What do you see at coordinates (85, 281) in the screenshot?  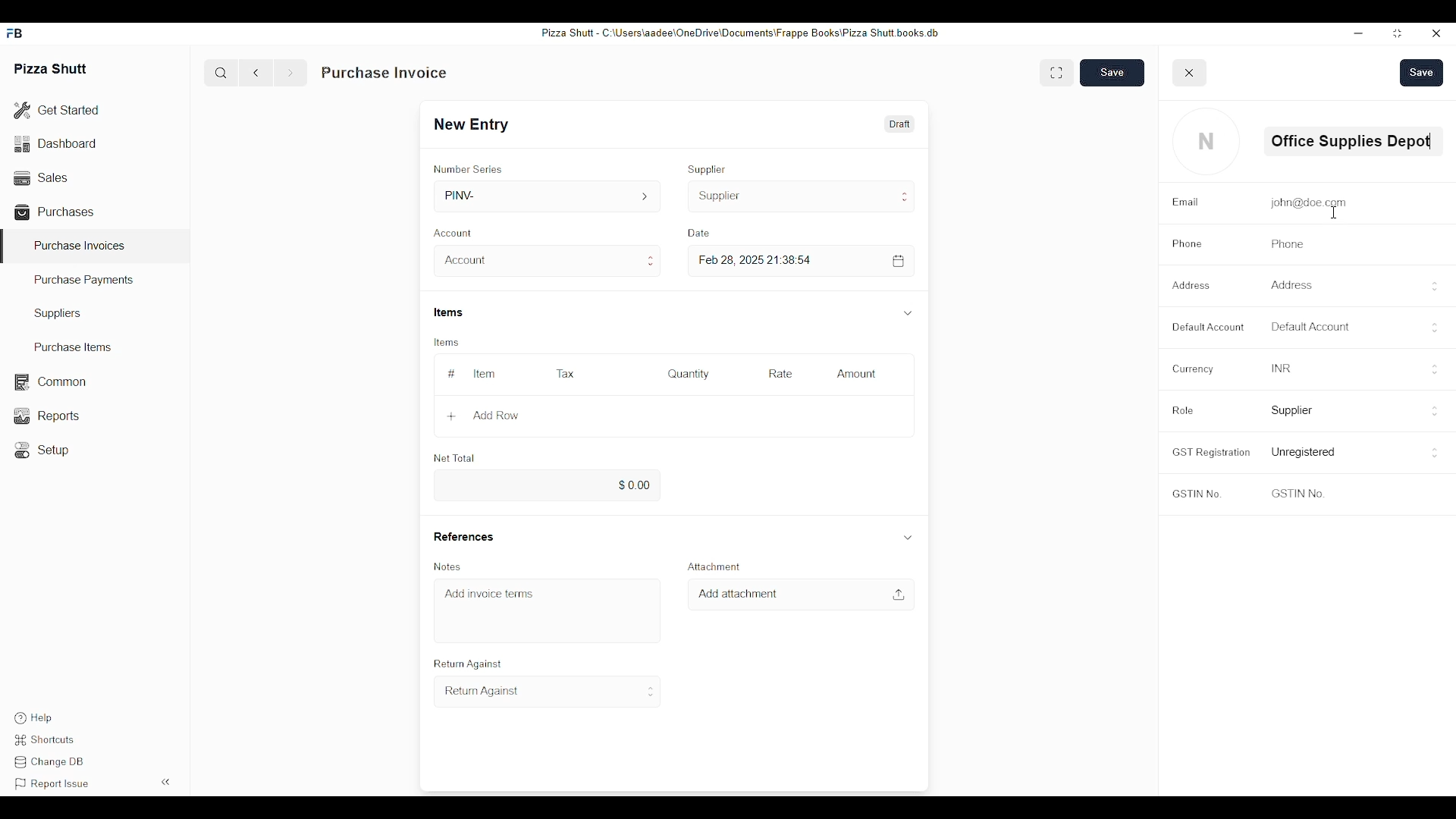 I see `Purchase Payments` at bounding box center [85, 281].